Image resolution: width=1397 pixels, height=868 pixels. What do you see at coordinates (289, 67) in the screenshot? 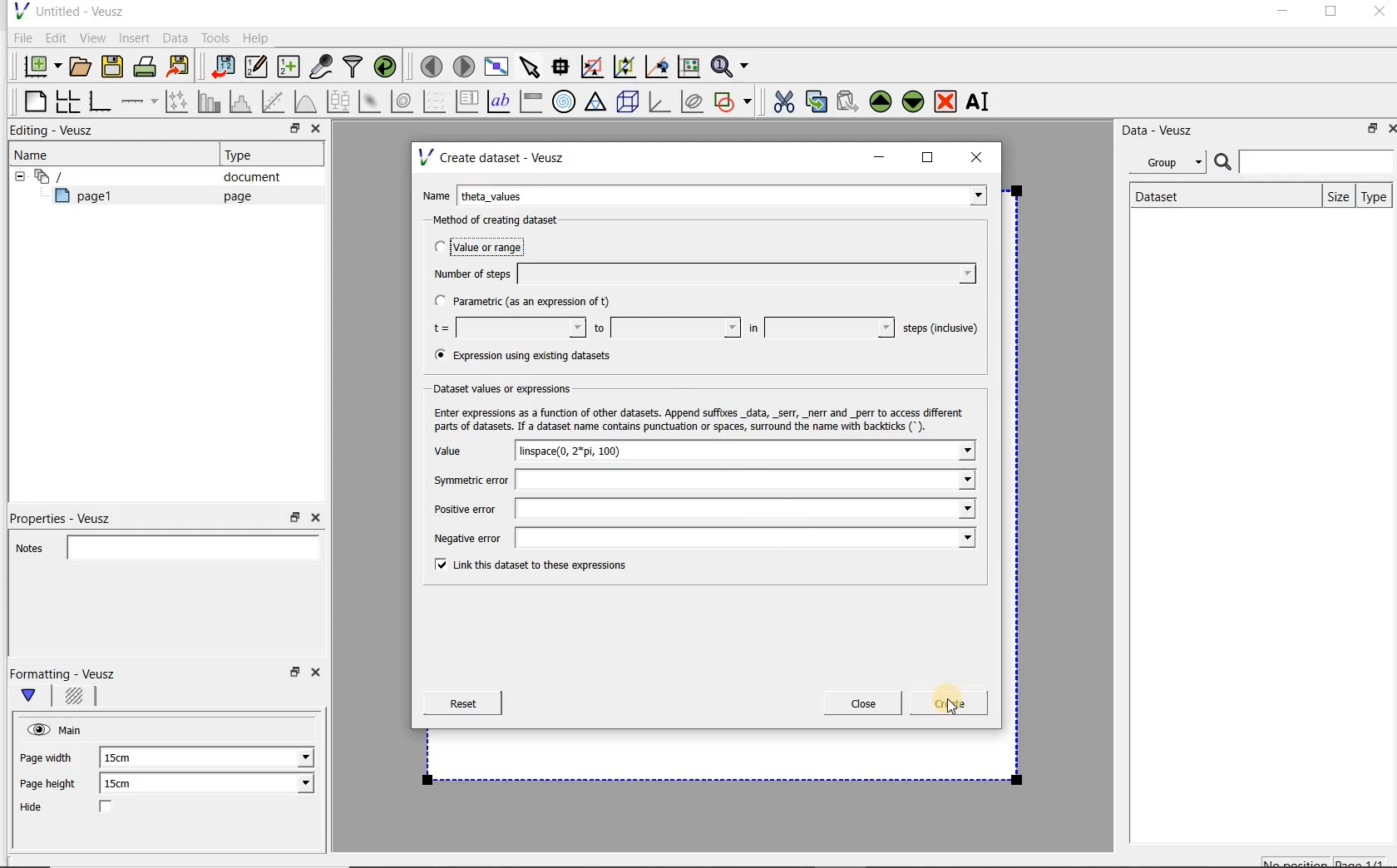
I see `create new datasets using ranges, parametrically or as functions of existing datasets` at bounding box center [289, 67].